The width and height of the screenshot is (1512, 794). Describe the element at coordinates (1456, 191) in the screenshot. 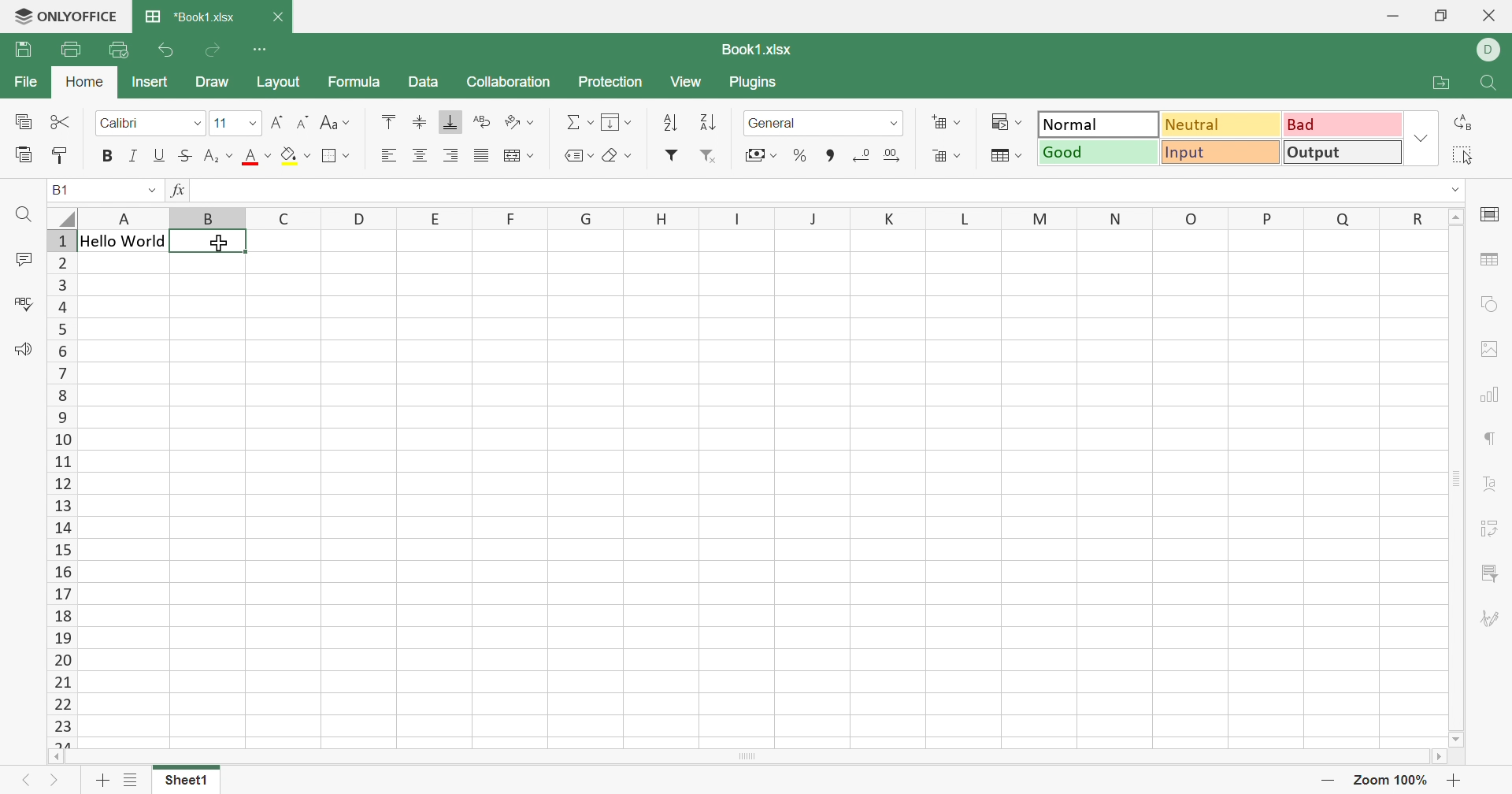

I see `Drop down` at that location.